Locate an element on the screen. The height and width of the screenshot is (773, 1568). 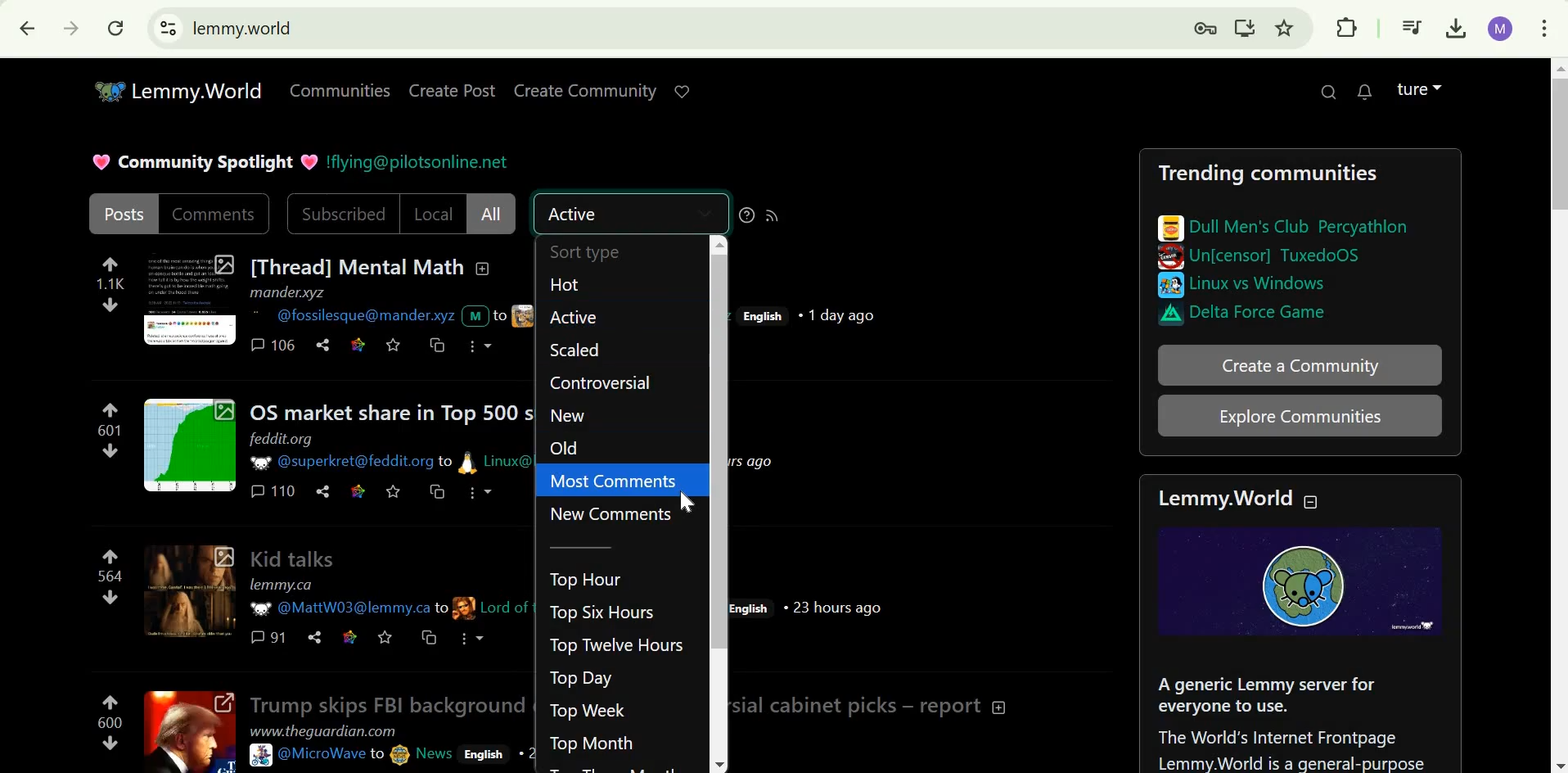
Customize and control Google Chrome is located at coordinates (1548, 29).